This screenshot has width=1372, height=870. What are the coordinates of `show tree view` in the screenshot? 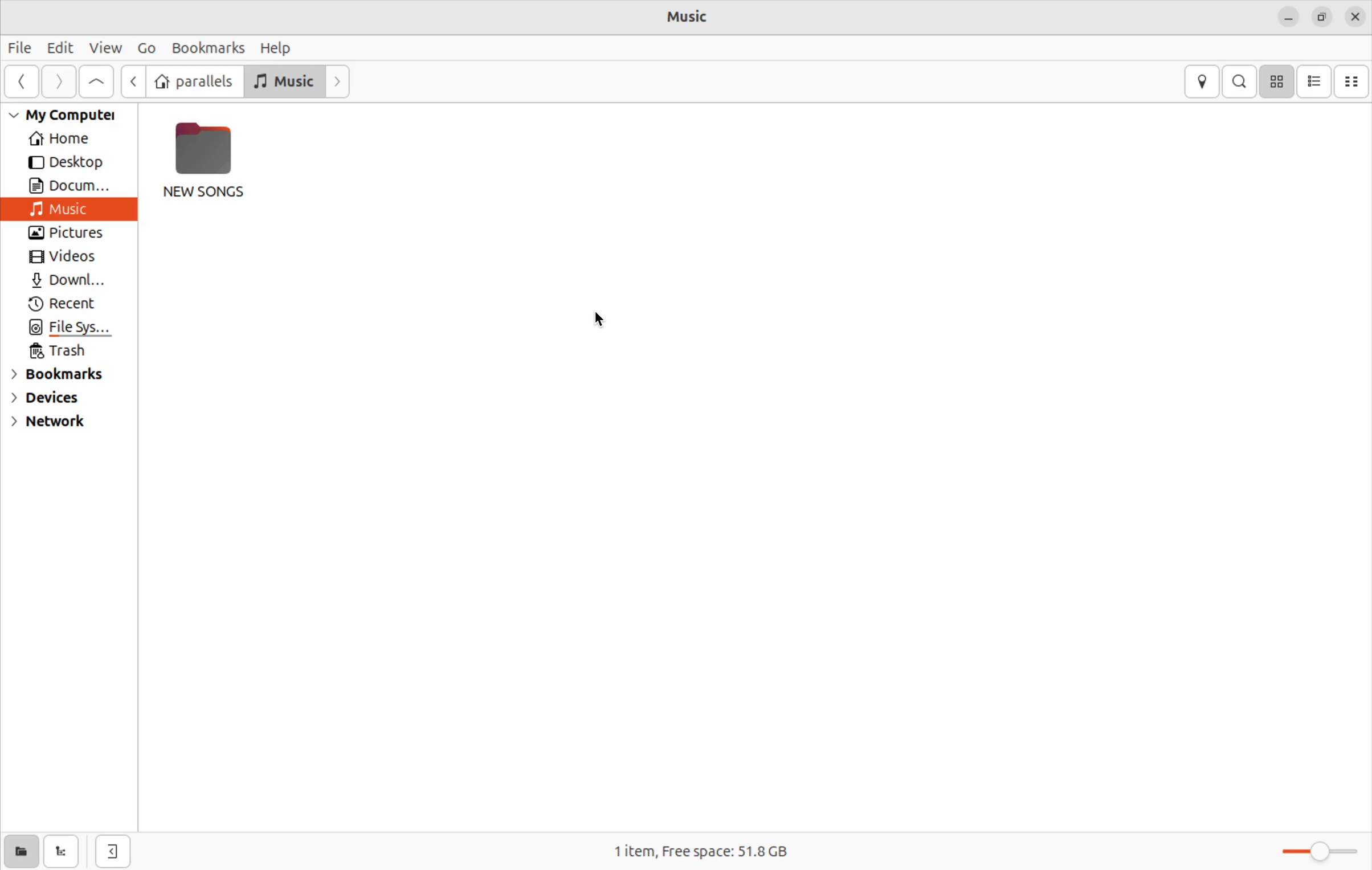 It's located at (61, 851).